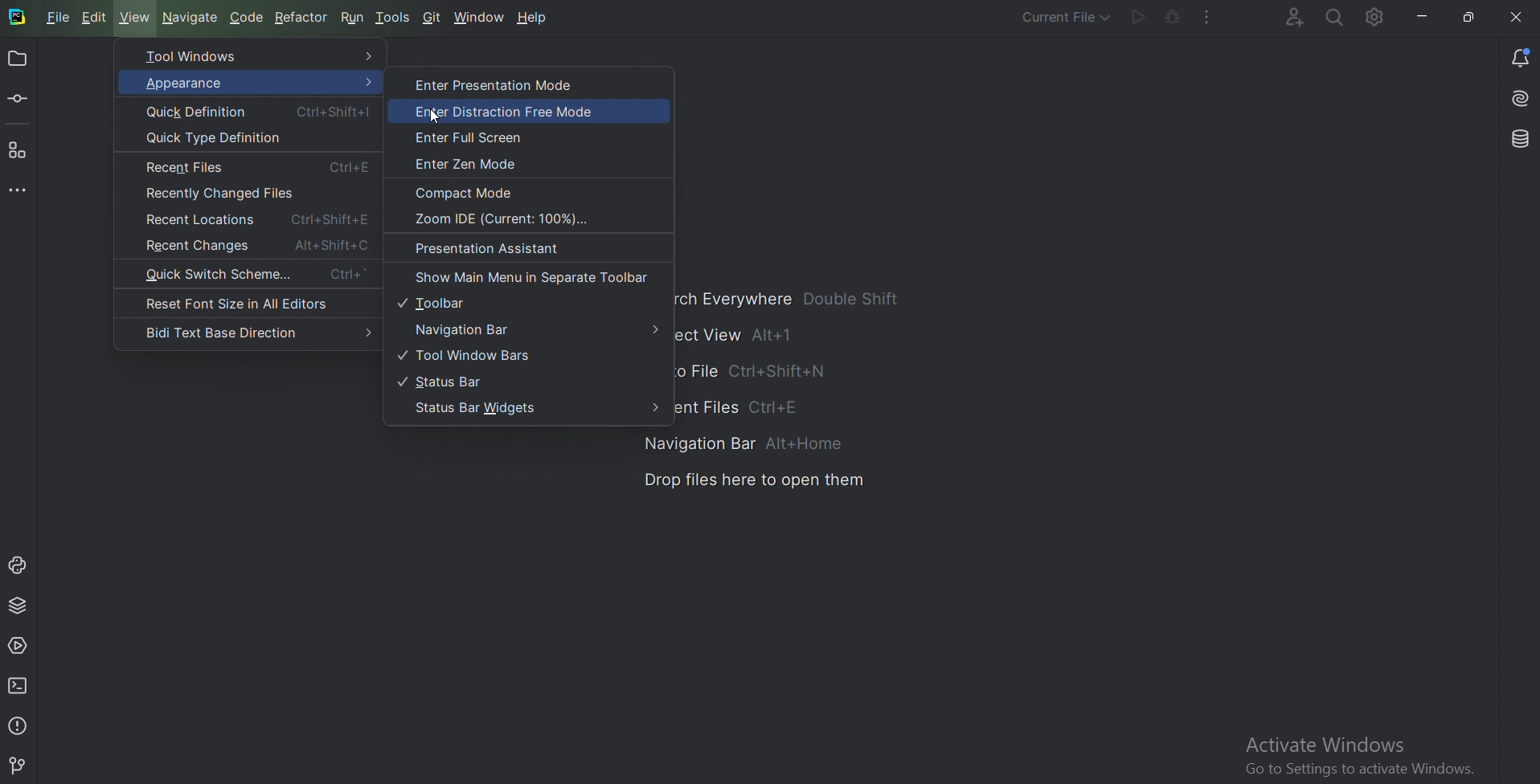 This screenshot has height=784, width=1540. What do you see at coordinates (20, 99) in the screenshot?
I see `commit` at bounding box center [20, 99].